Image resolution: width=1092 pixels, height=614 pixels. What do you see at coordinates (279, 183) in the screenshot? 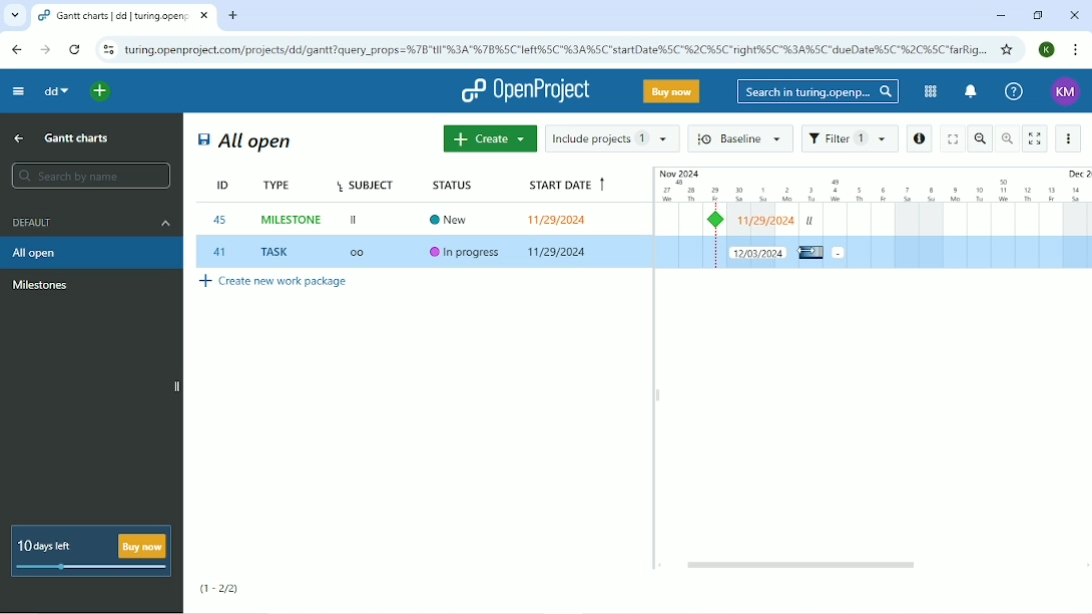
I see `Type` at bounding box center [279, 183].